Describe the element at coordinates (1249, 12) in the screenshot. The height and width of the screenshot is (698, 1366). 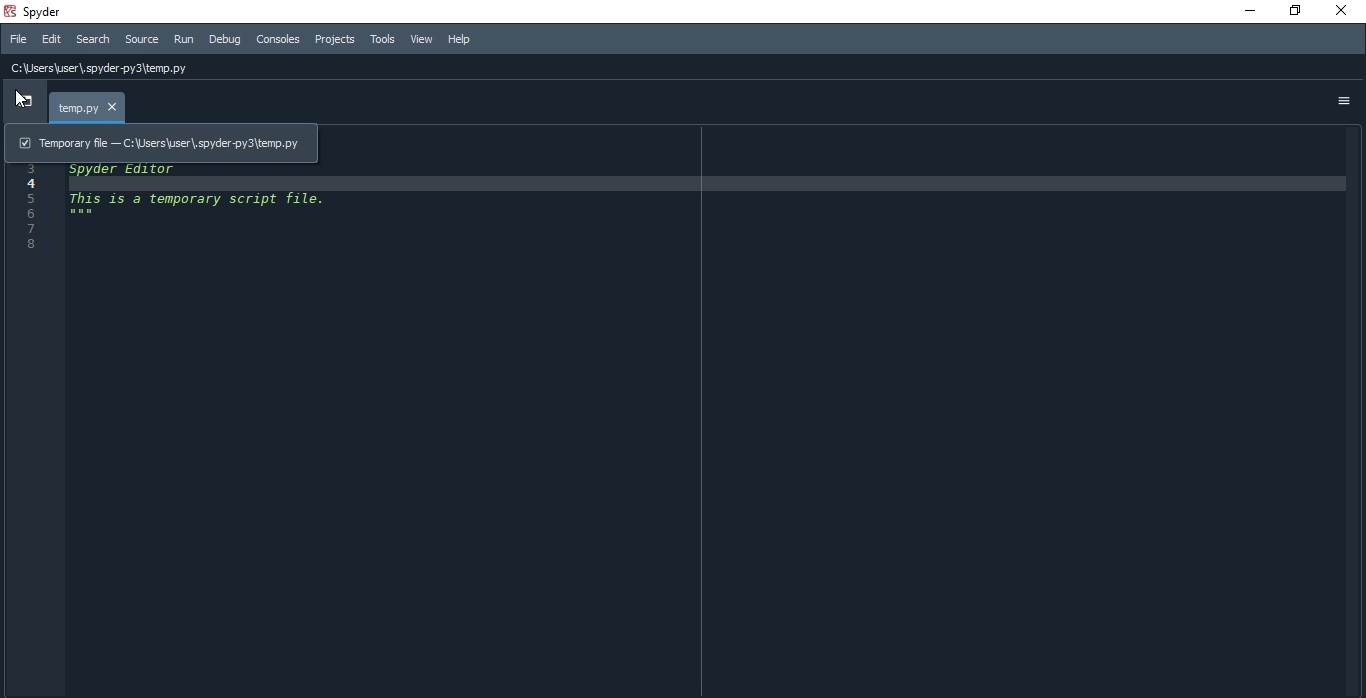
I see `minimise` at that location.